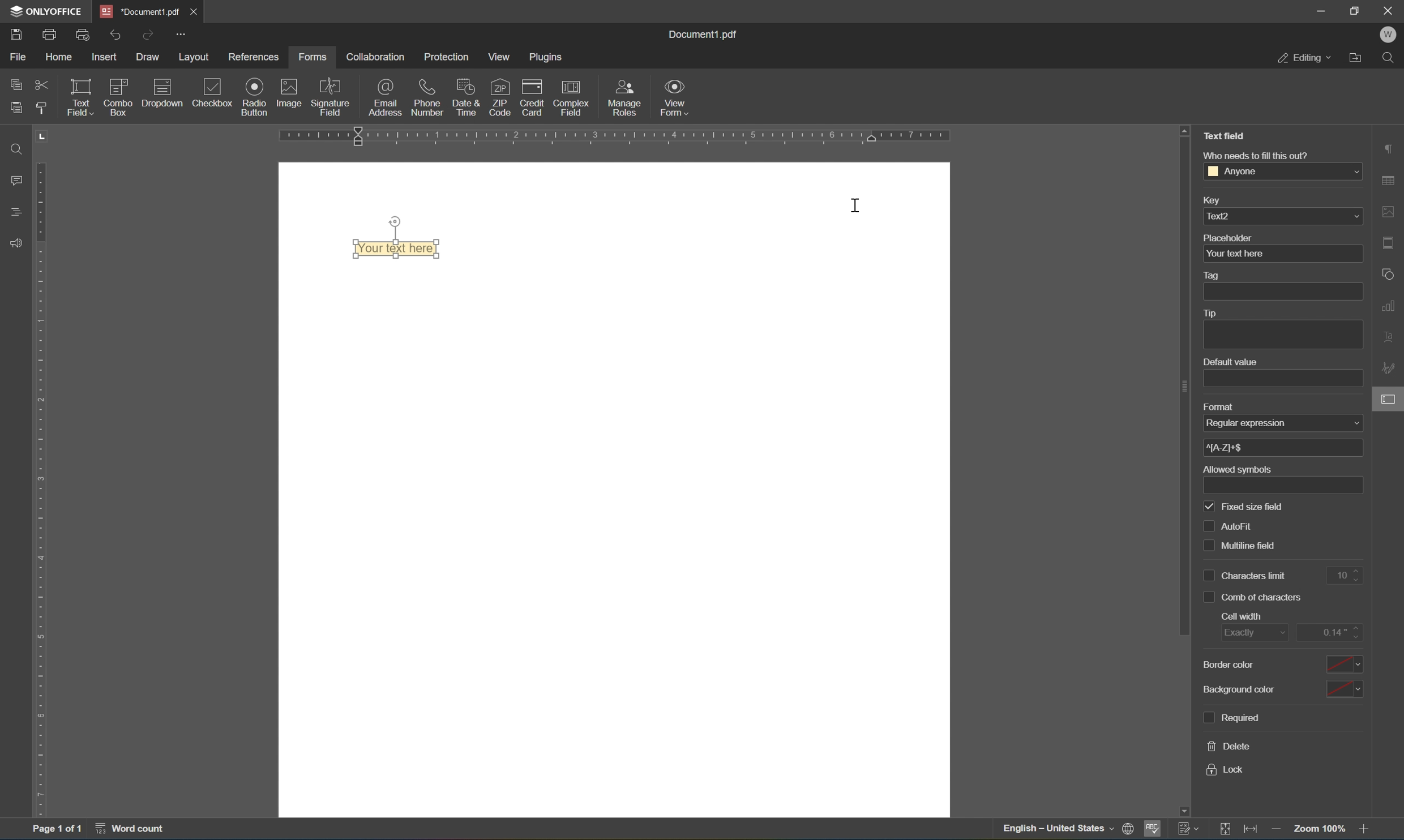 The image size is (1404, 840). Describe the element at coordinates (1388, 340) in the screenshot. I see `text art settings` at that location.